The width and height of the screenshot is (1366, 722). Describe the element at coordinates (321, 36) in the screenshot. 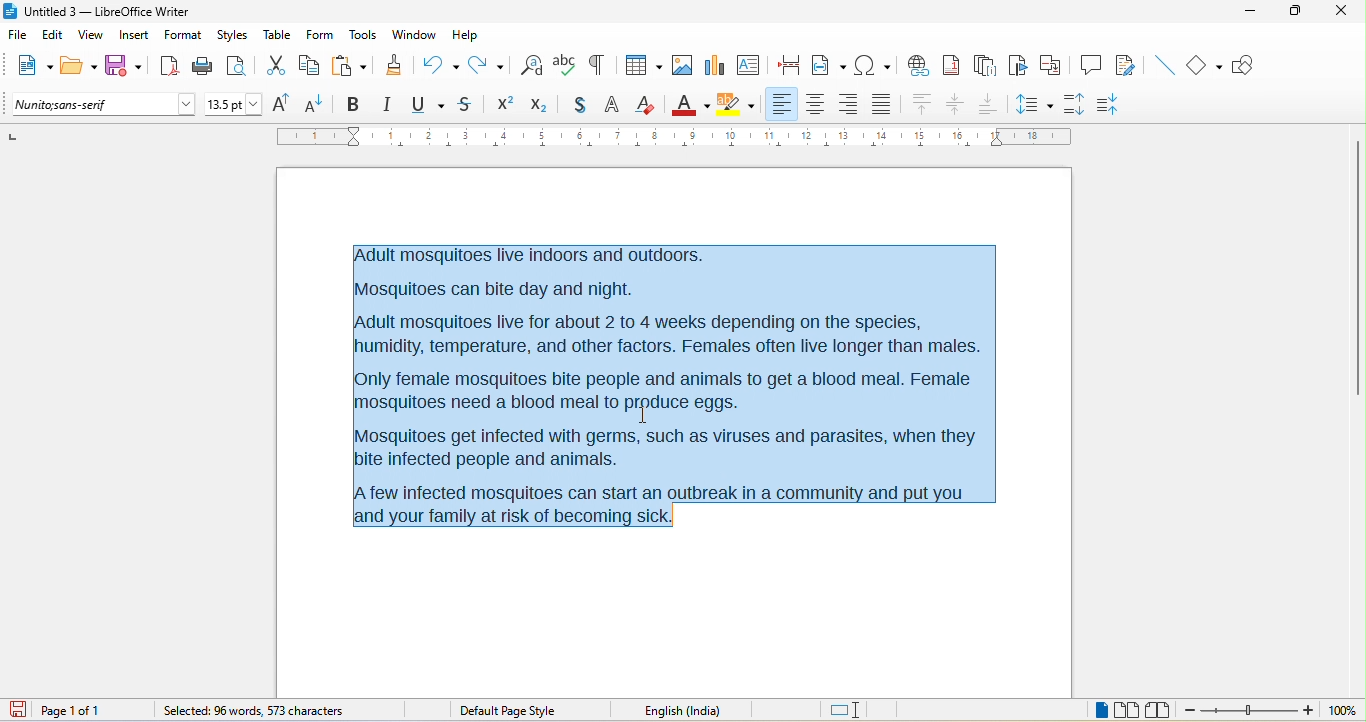

I see `form` at that location.